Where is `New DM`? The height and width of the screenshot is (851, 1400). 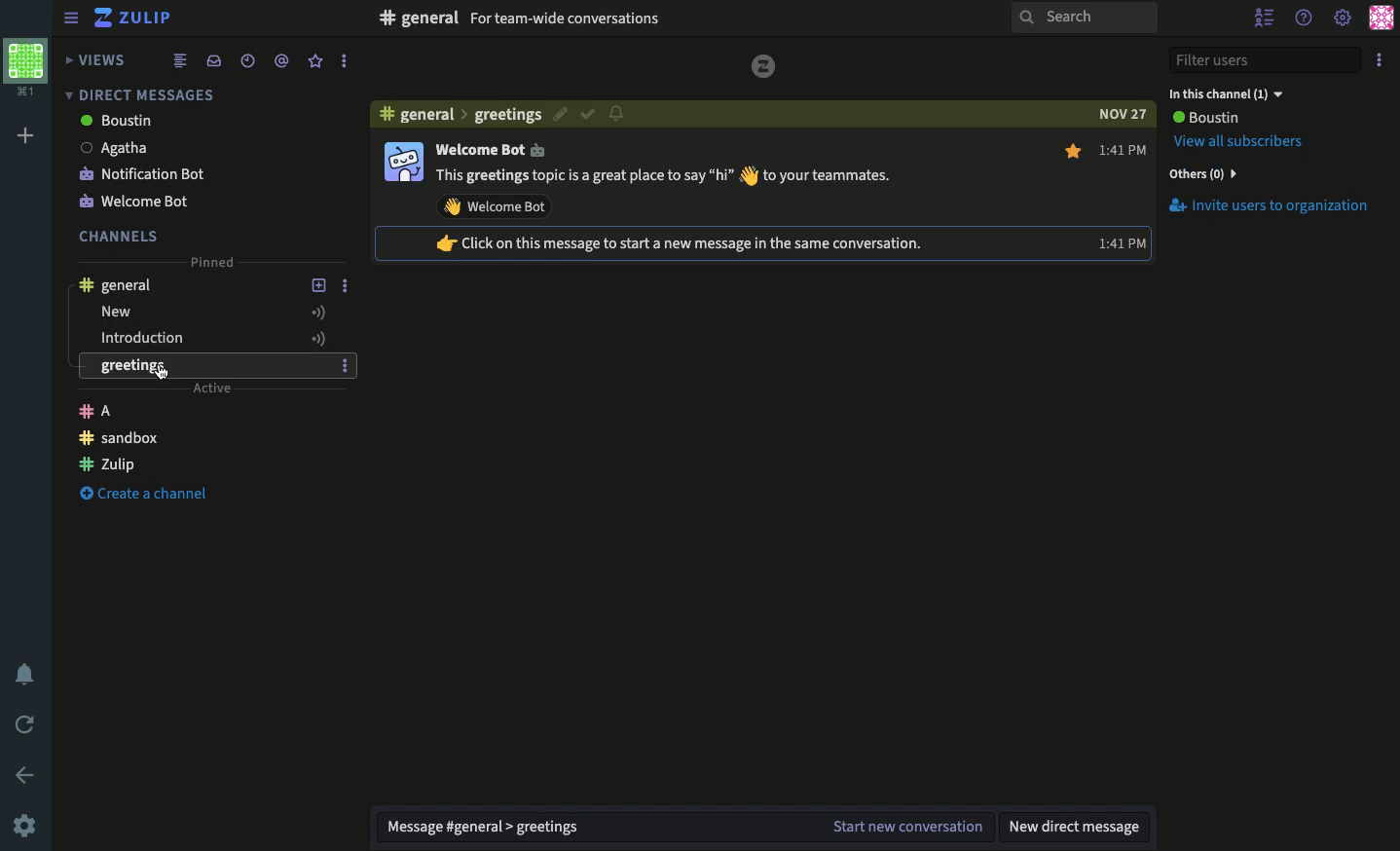 New DM is located at coordinates (1078, 826).